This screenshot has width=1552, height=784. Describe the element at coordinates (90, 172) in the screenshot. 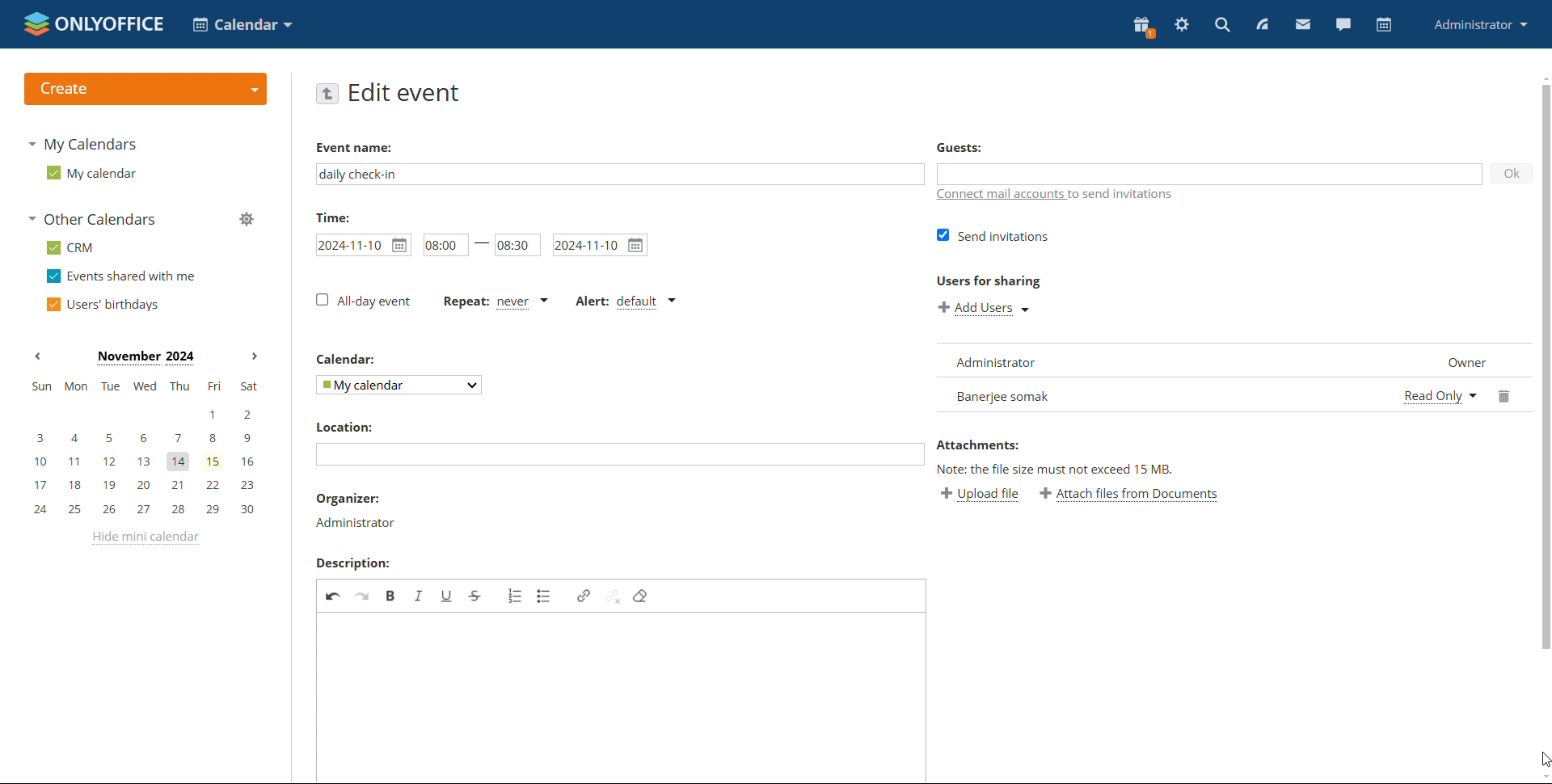

I see `my calendar` at that location.